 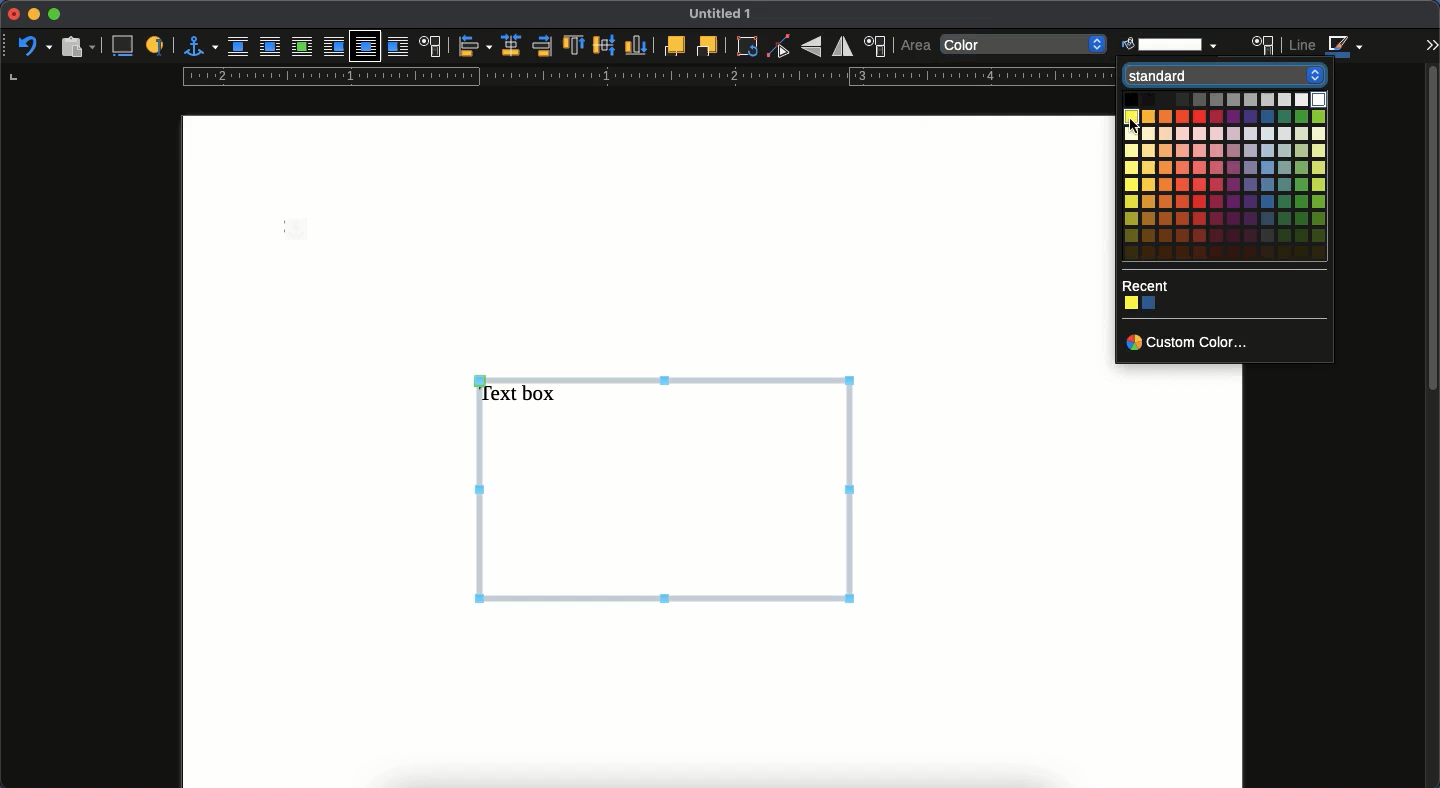 What do you see at coordinates (301, 48) in the screenshot?
I see `optimal` at bounding box center [301, 48].